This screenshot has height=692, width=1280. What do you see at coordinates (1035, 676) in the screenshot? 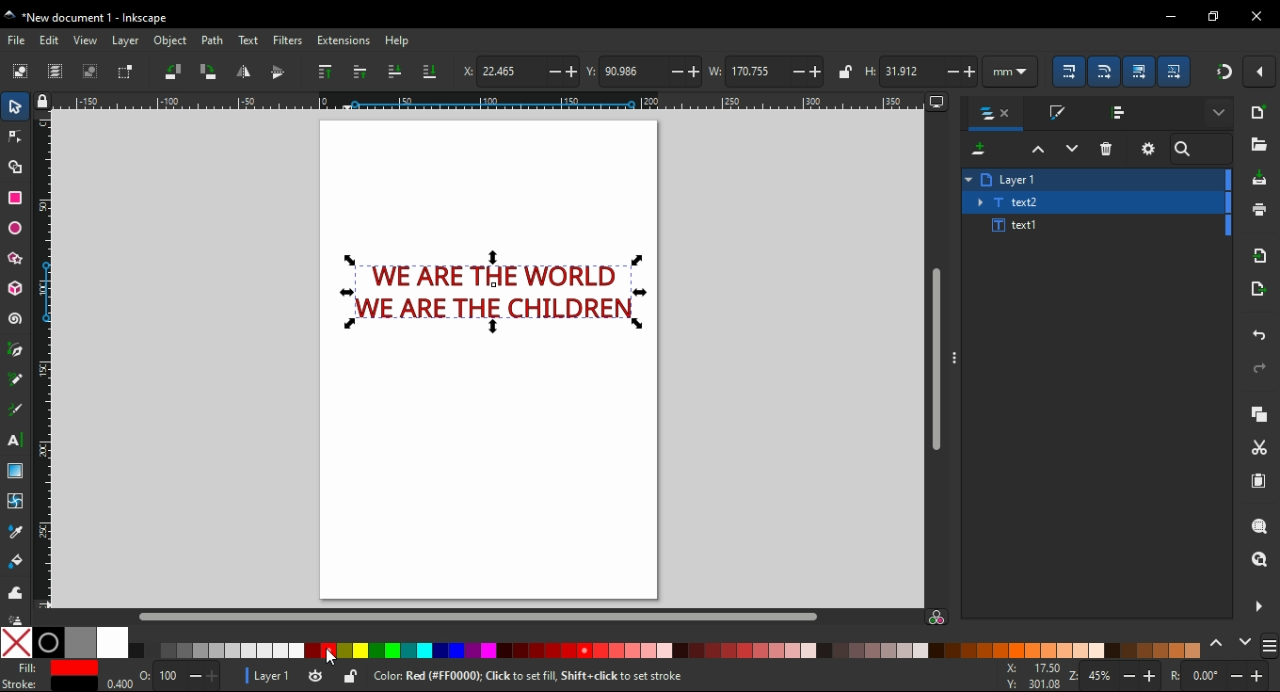
I see `cursor coordinates` at bounding box center [1035, 676].